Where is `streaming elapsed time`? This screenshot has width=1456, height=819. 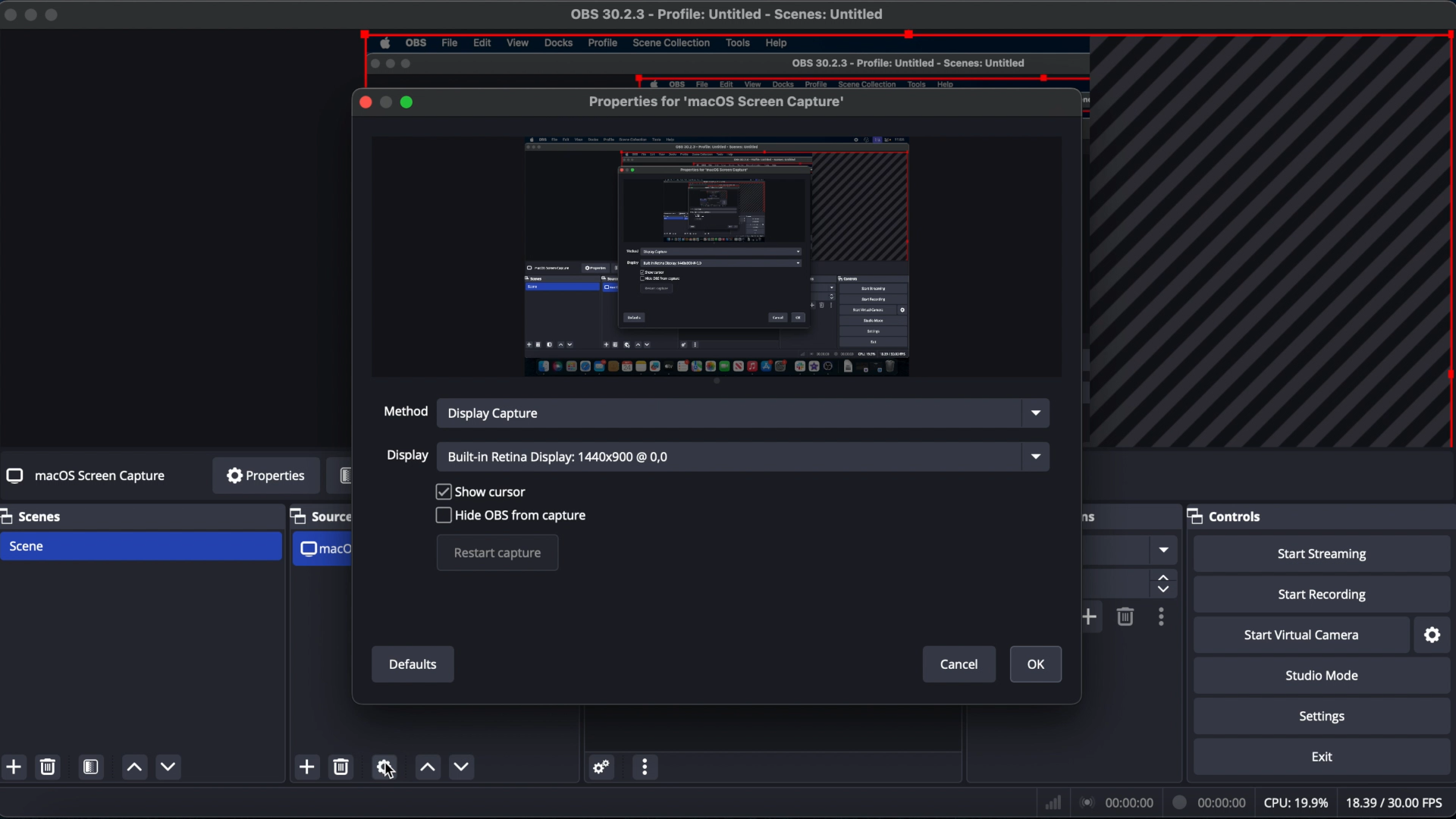 streaming elapsed time is located at coordinates (1119, 802).